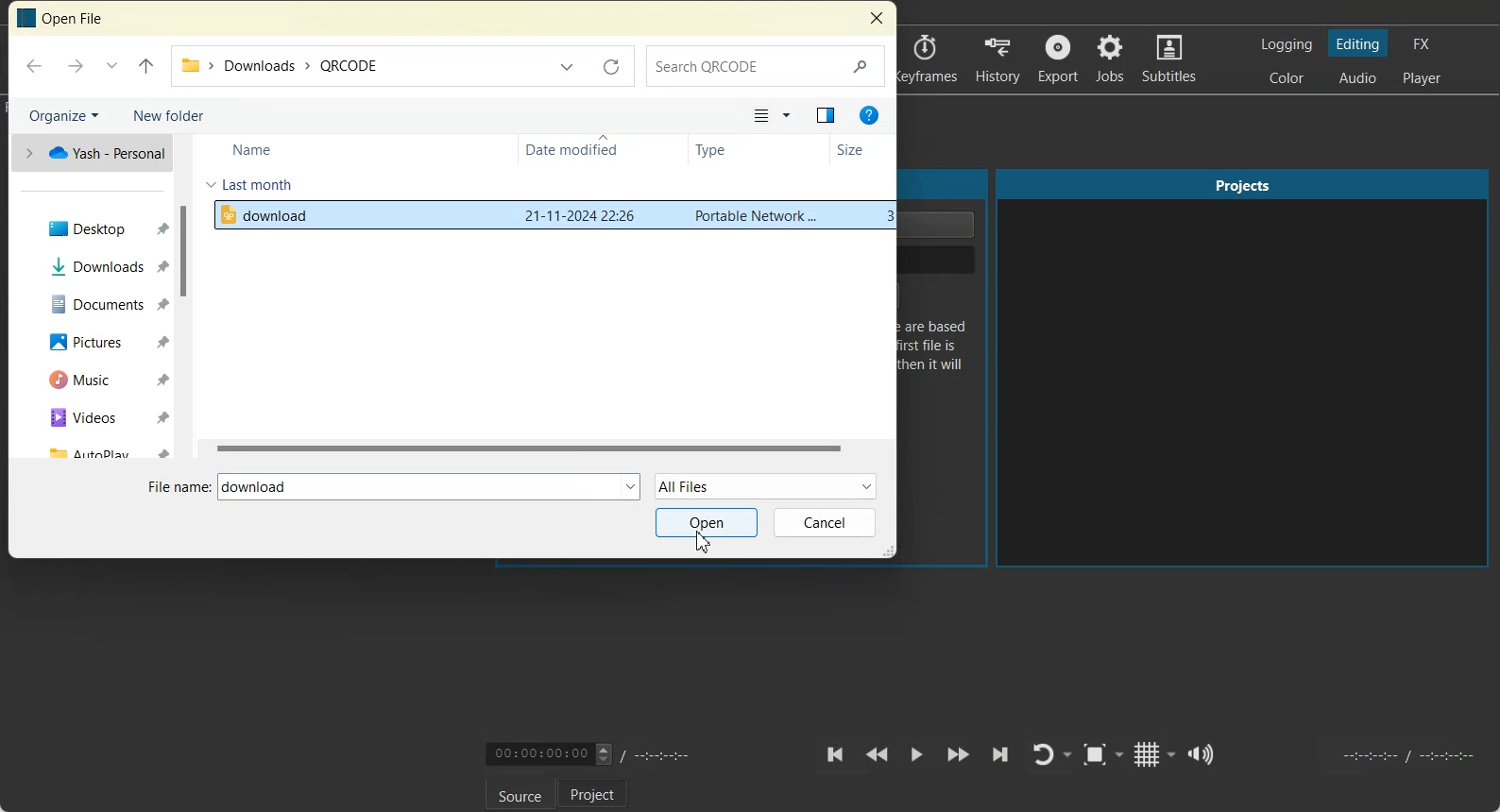 Image resolution: width=1500 pixels, height=812 pixels. I want to click on Show the preview pane, so click(825, 116).